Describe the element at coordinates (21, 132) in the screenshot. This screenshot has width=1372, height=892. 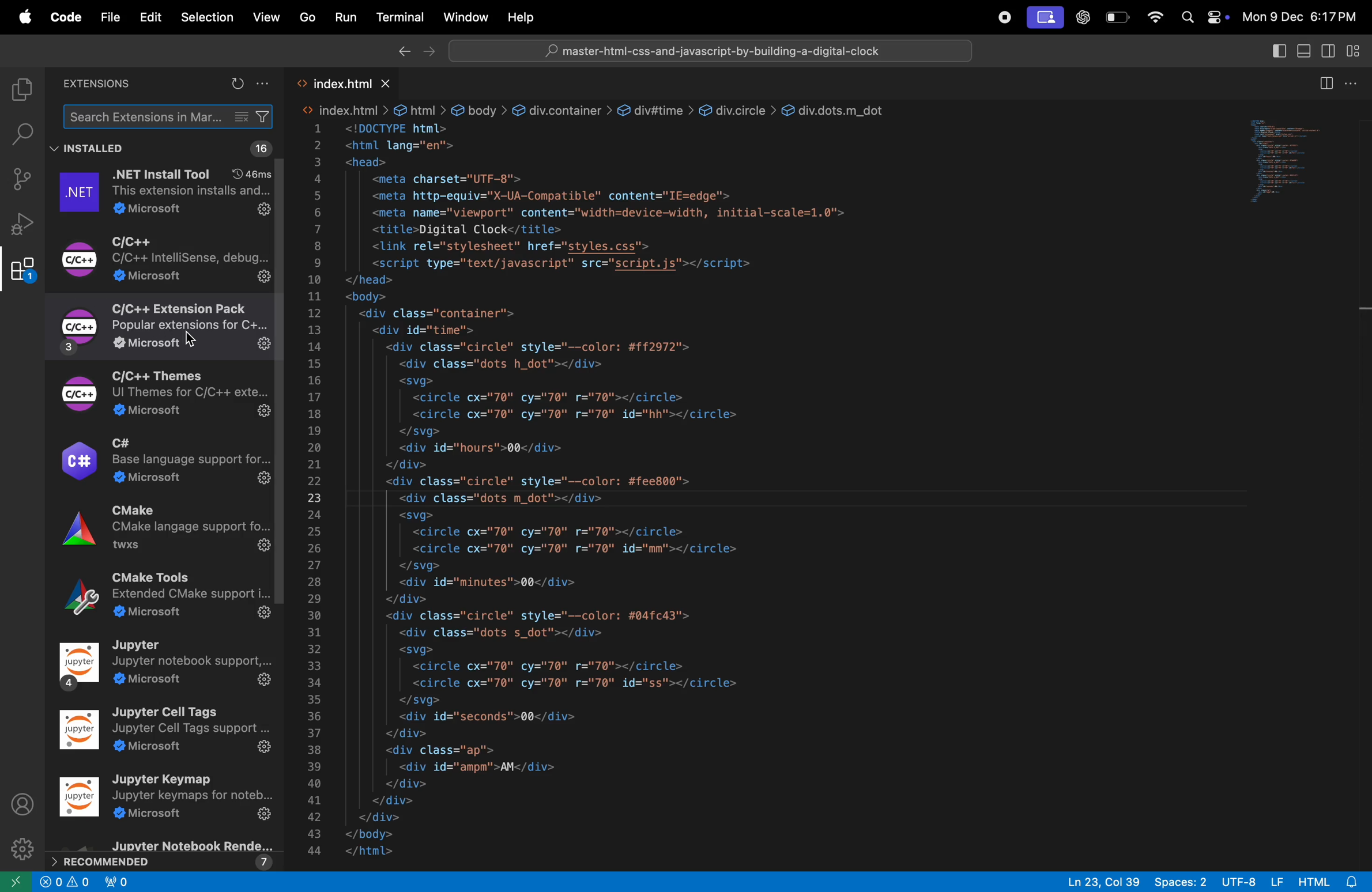
I see `search bar` at that location.